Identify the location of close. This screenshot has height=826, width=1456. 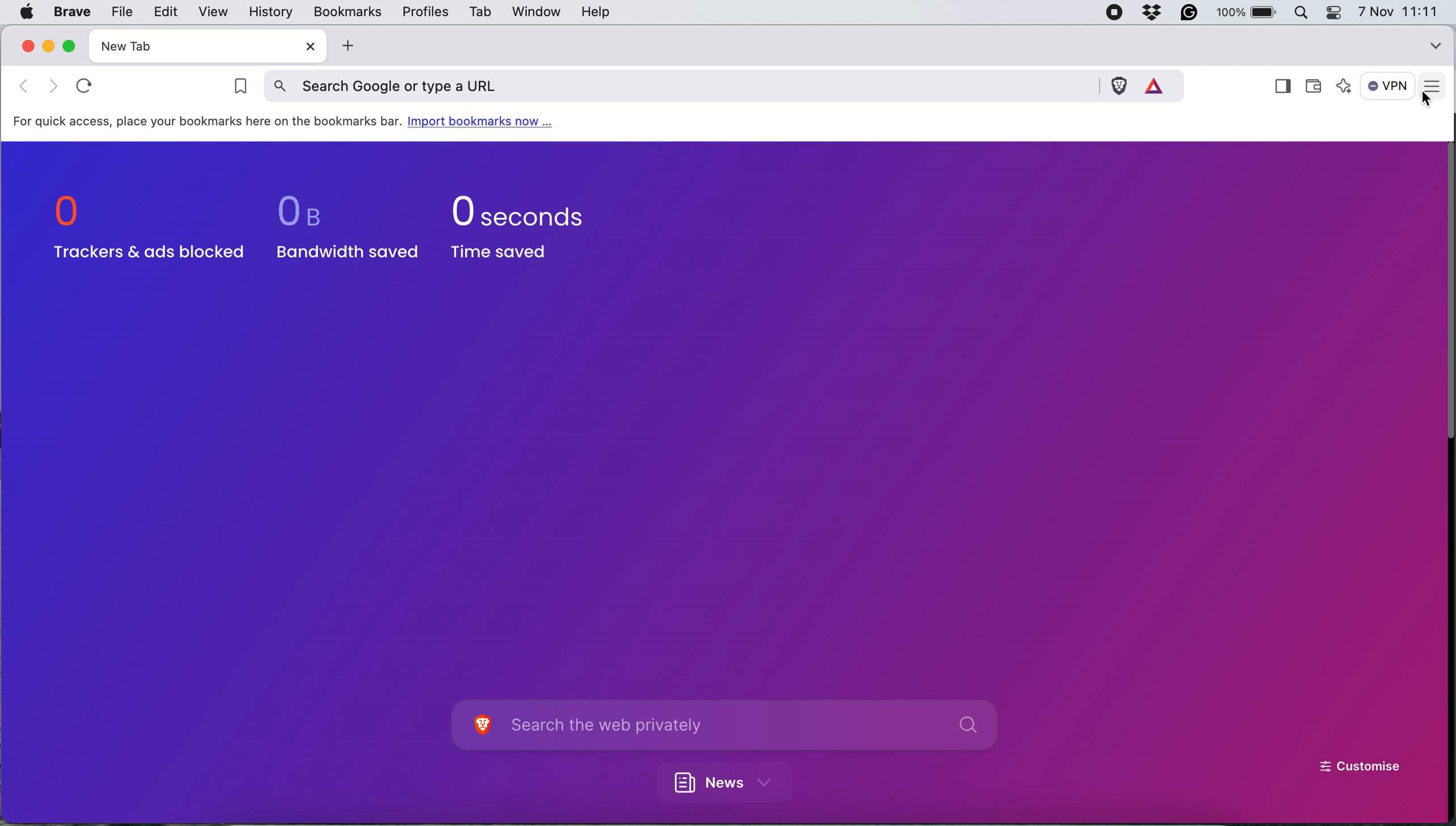
(306, 47).